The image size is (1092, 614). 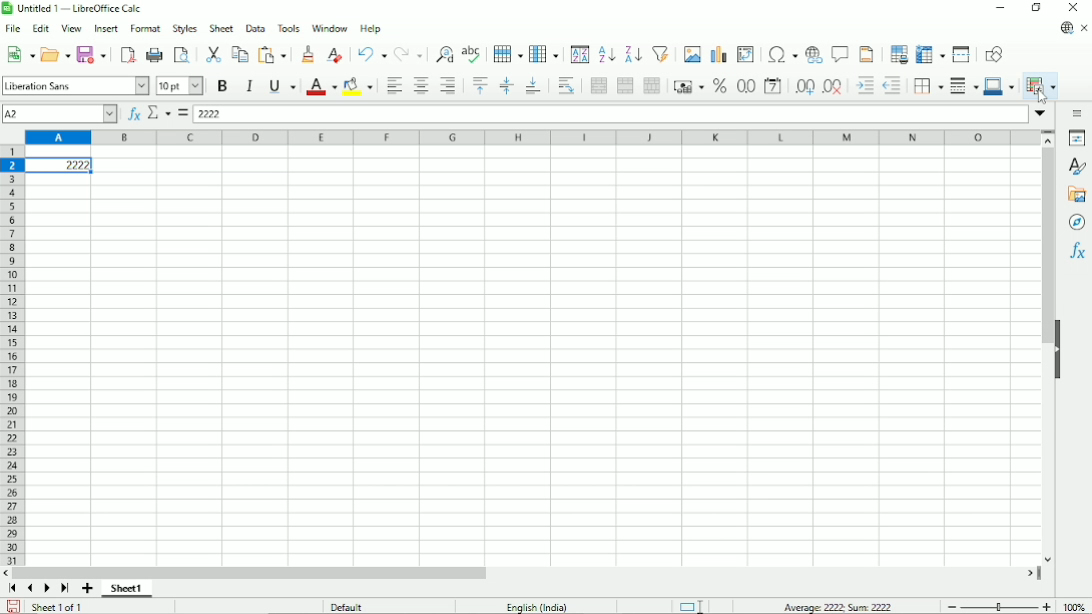 I want to click on Find and replace, so click(x=441, y=55).